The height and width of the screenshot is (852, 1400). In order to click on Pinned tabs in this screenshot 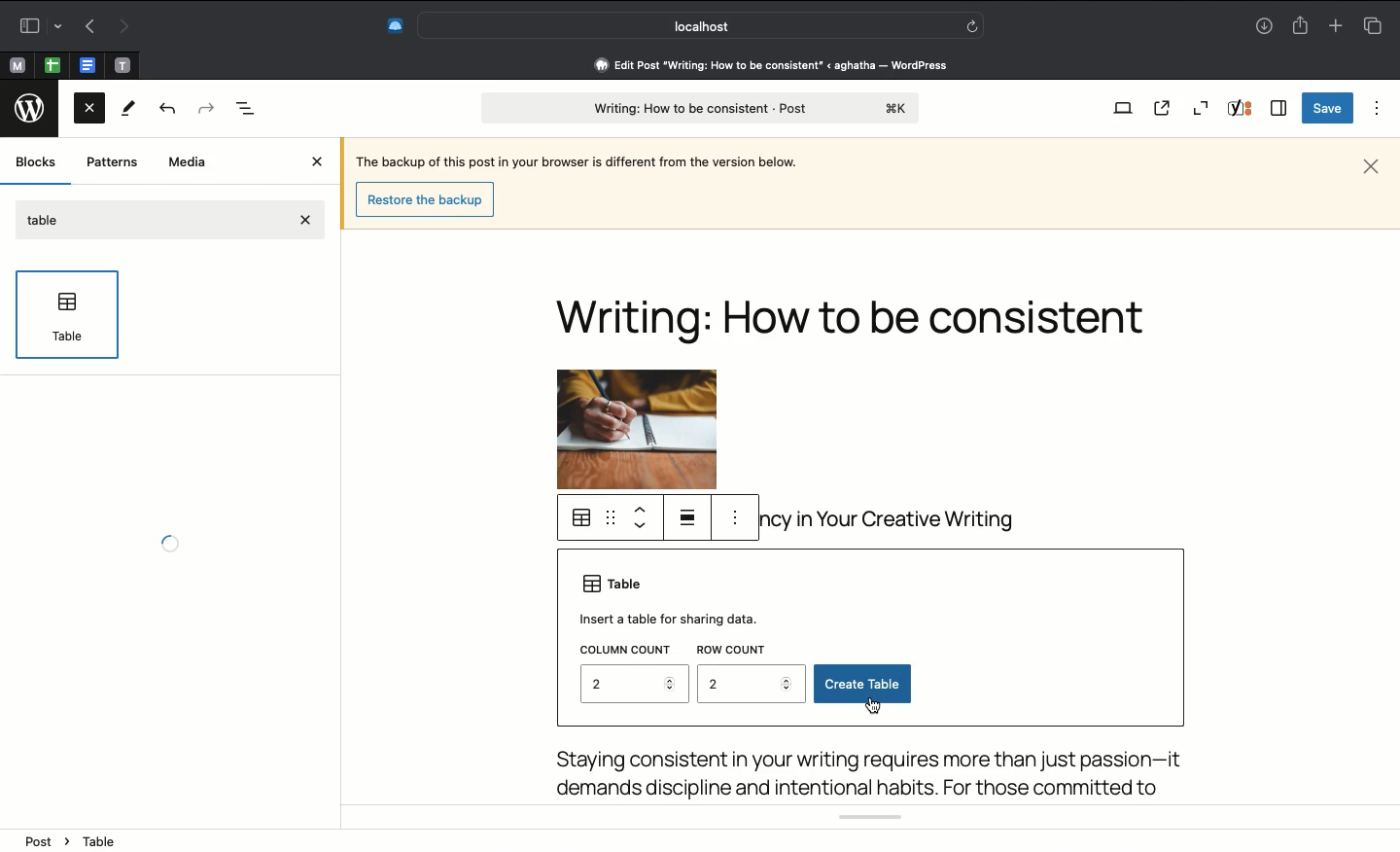, I will do `click(87, 64)`.